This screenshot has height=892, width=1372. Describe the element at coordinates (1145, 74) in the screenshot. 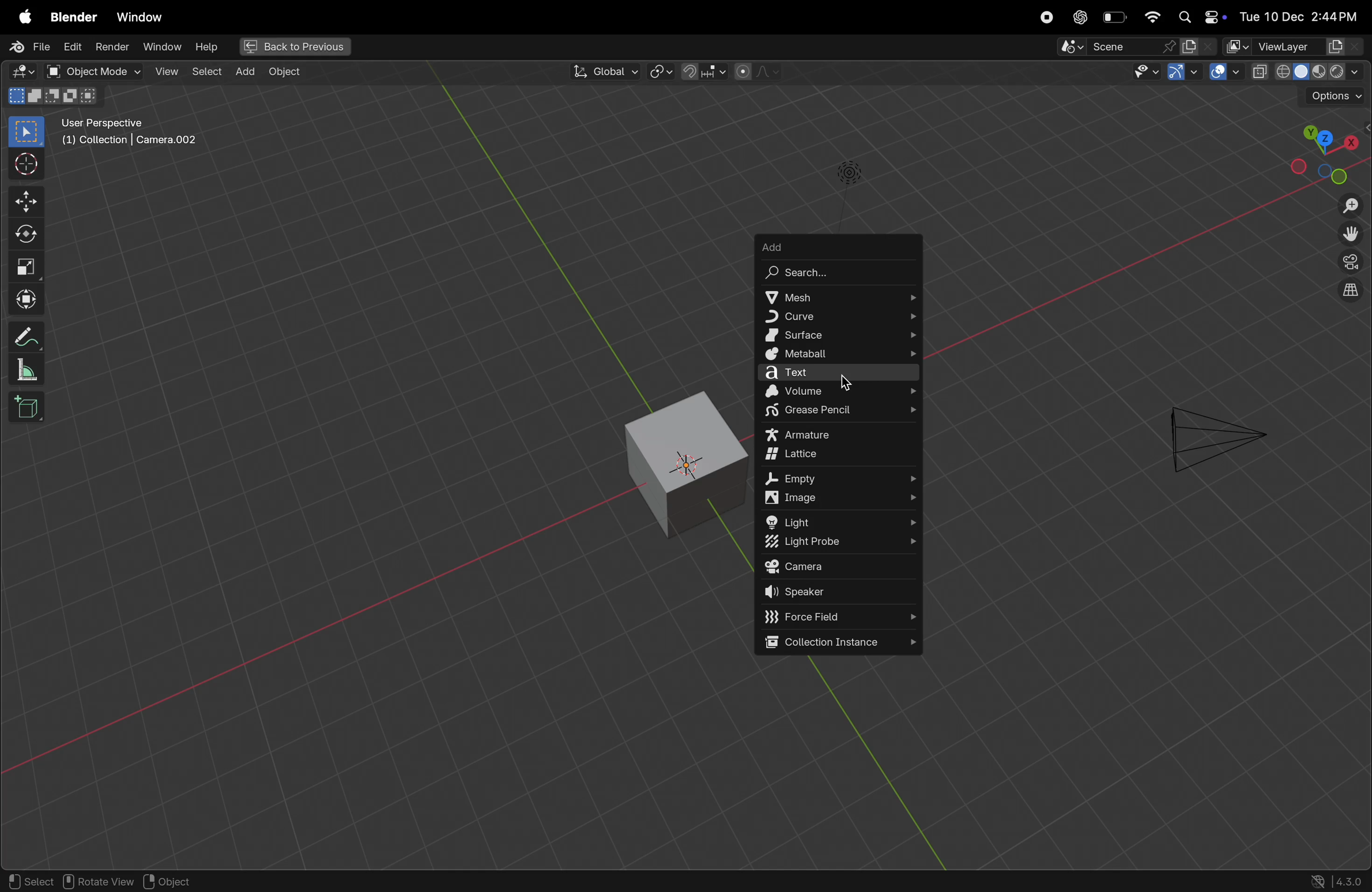

I see `visibility` at that location.